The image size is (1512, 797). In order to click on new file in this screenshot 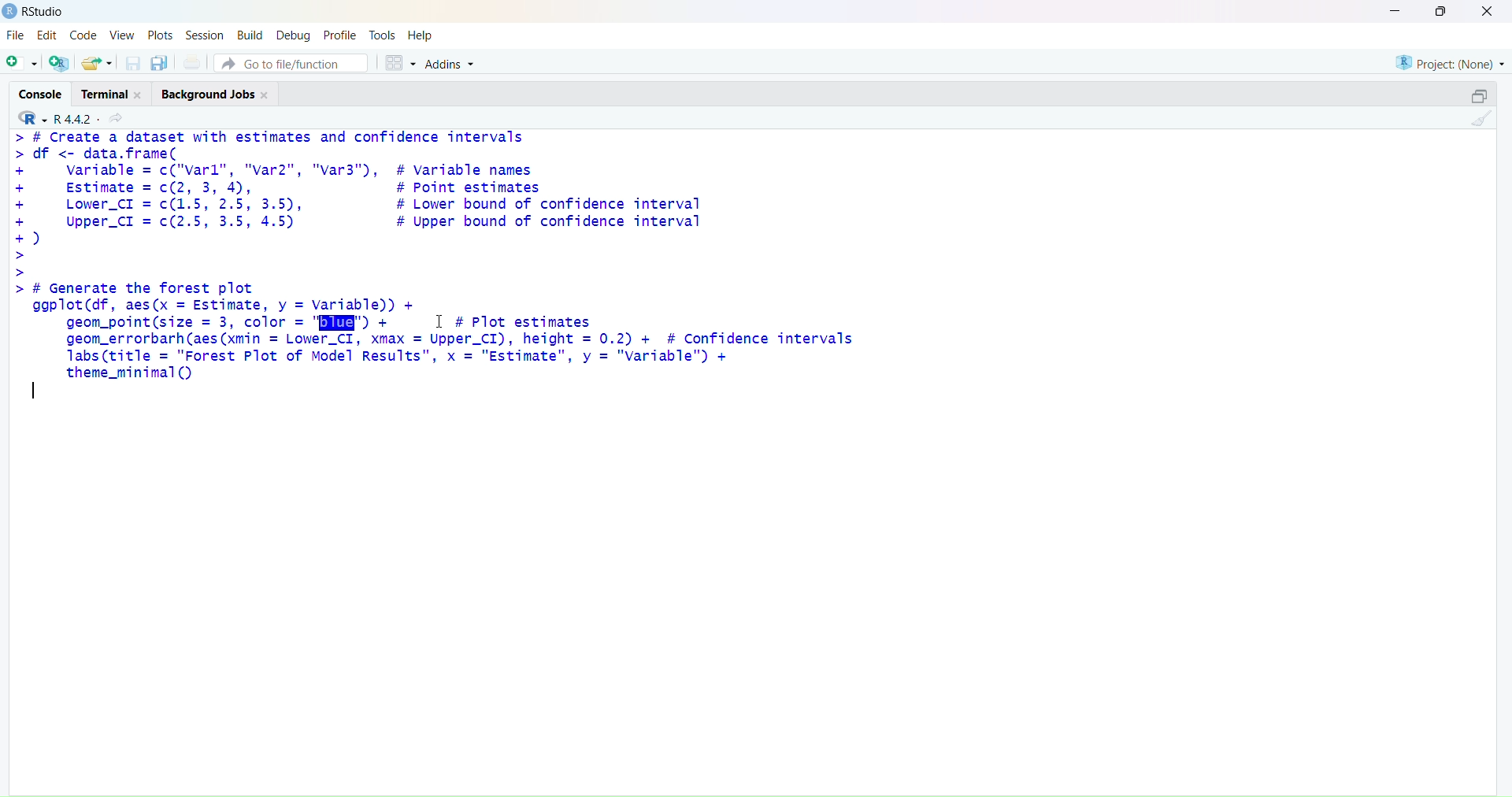, I will do `click(22, 61)`.